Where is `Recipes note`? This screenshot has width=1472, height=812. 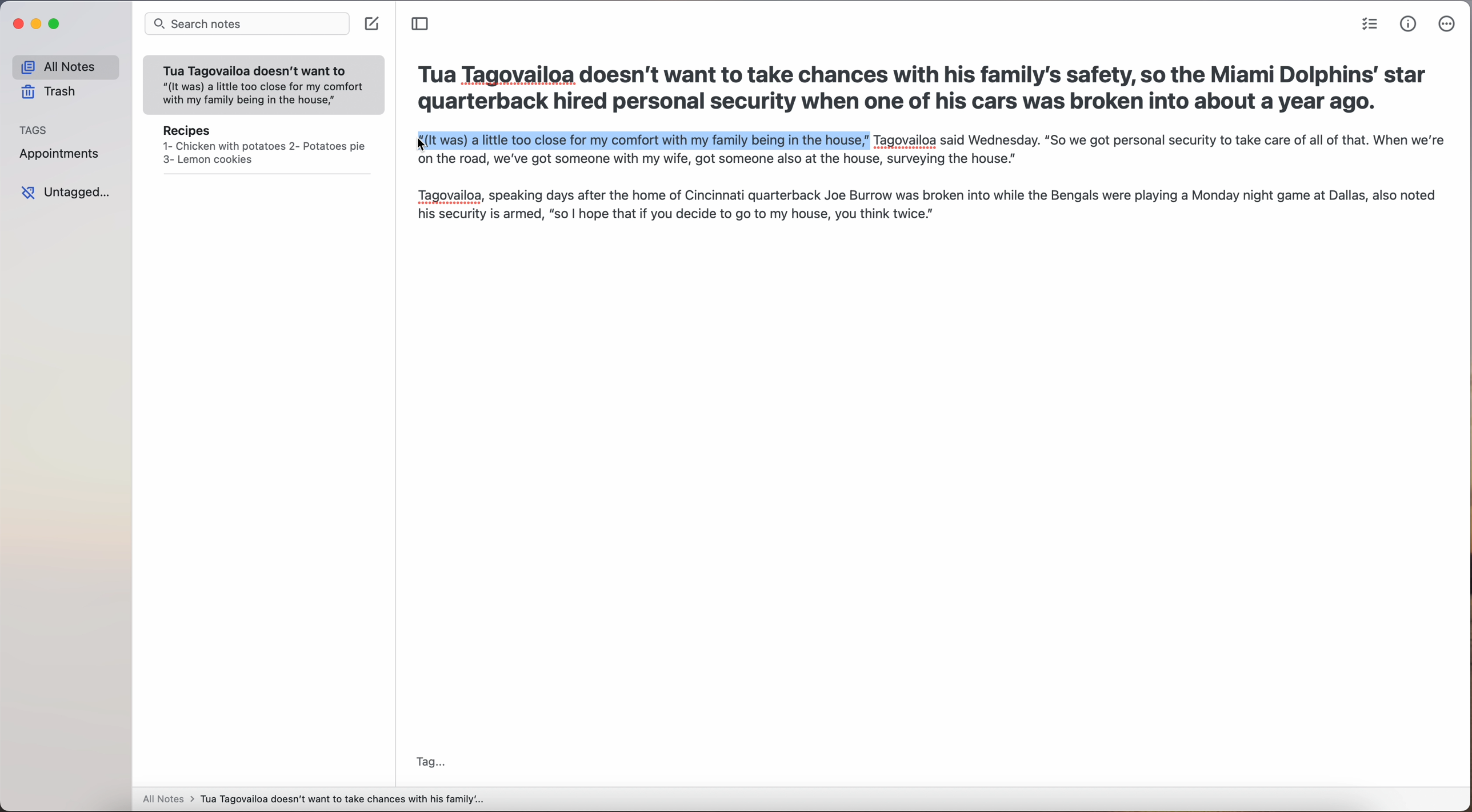
Recipes note is located at coordinates (264, 149).